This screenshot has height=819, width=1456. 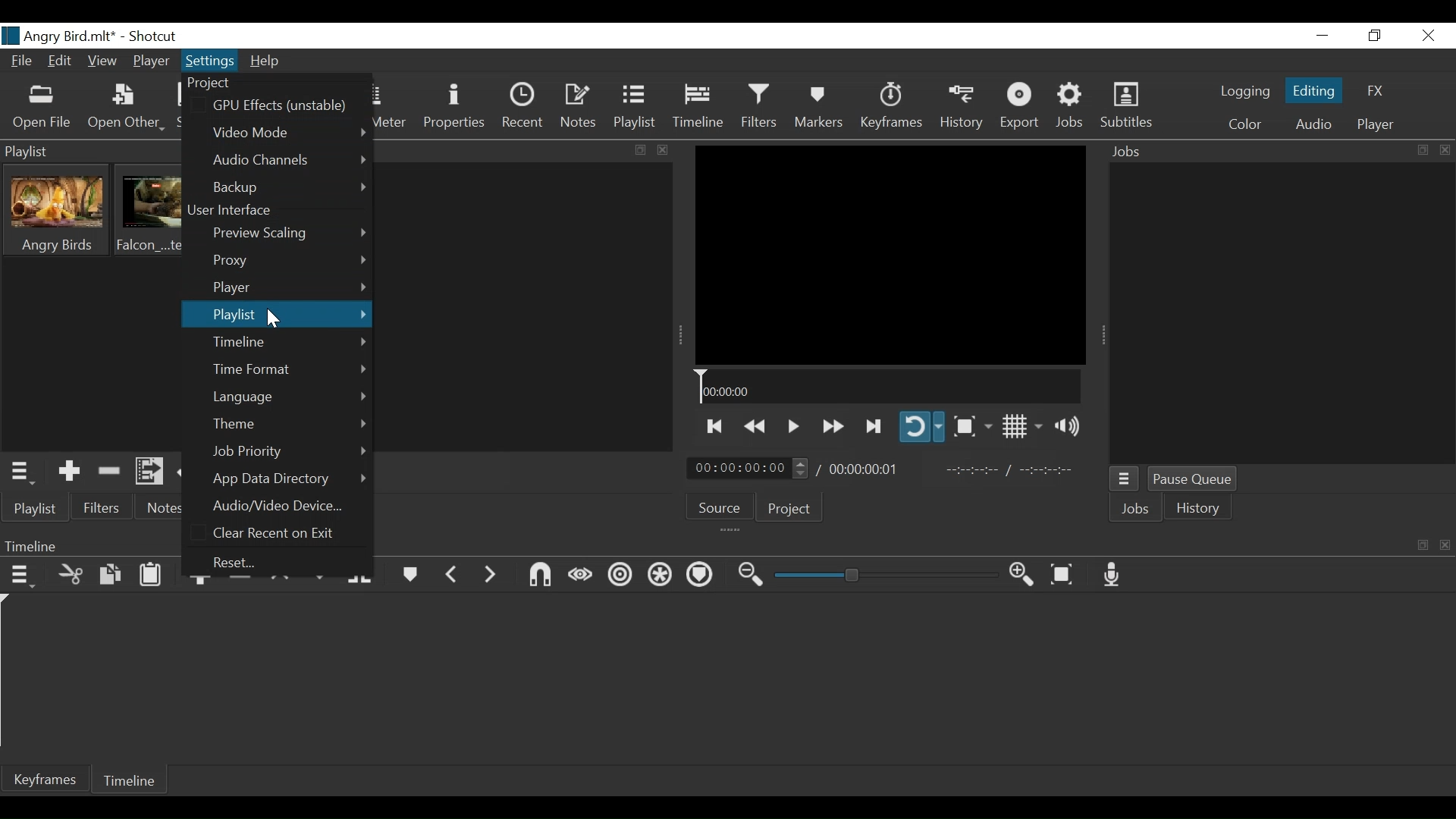 I want to click on Toggle player looping, so click(x=922, y=427).